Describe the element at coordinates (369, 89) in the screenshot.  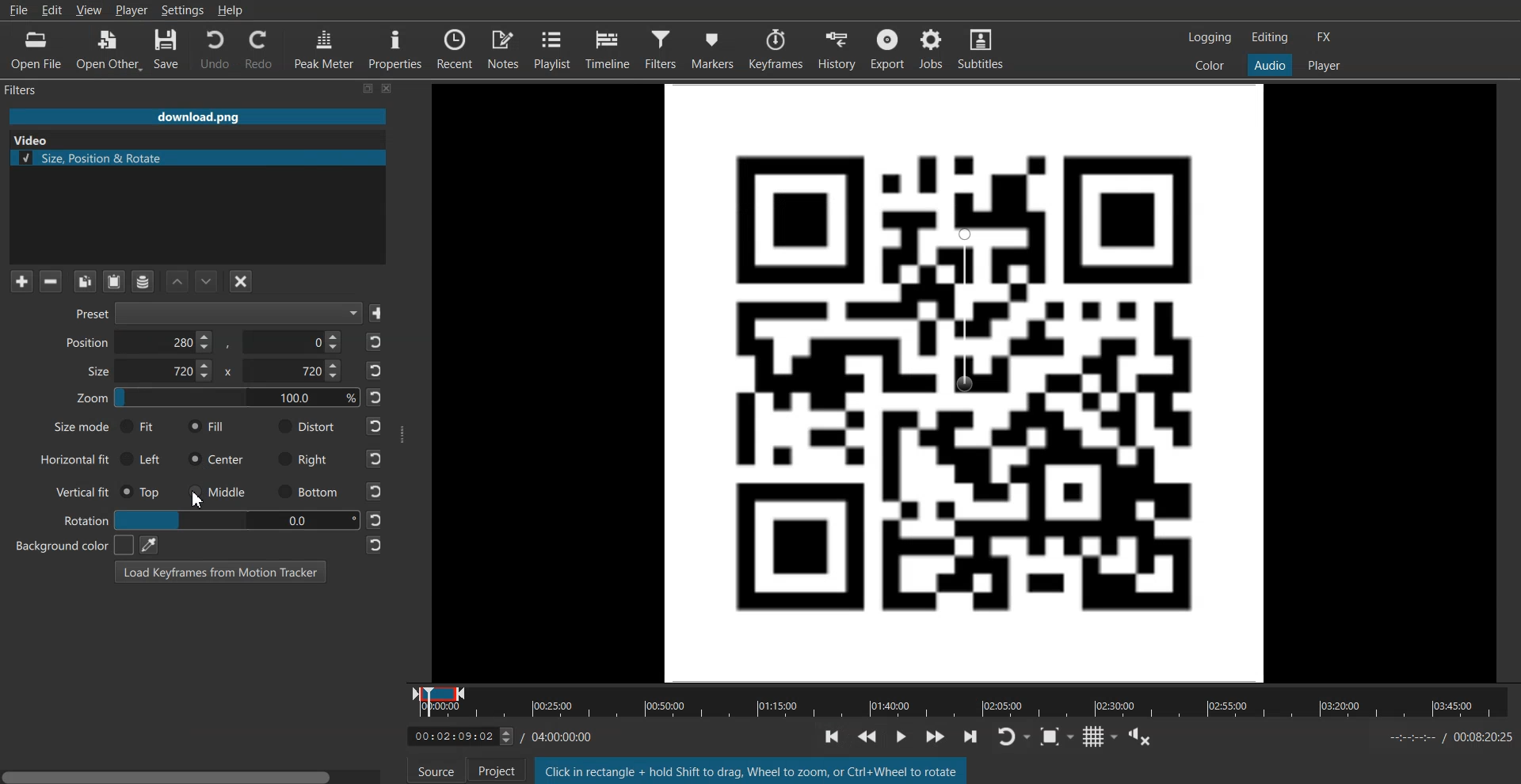
I see `Maximize` at that location.